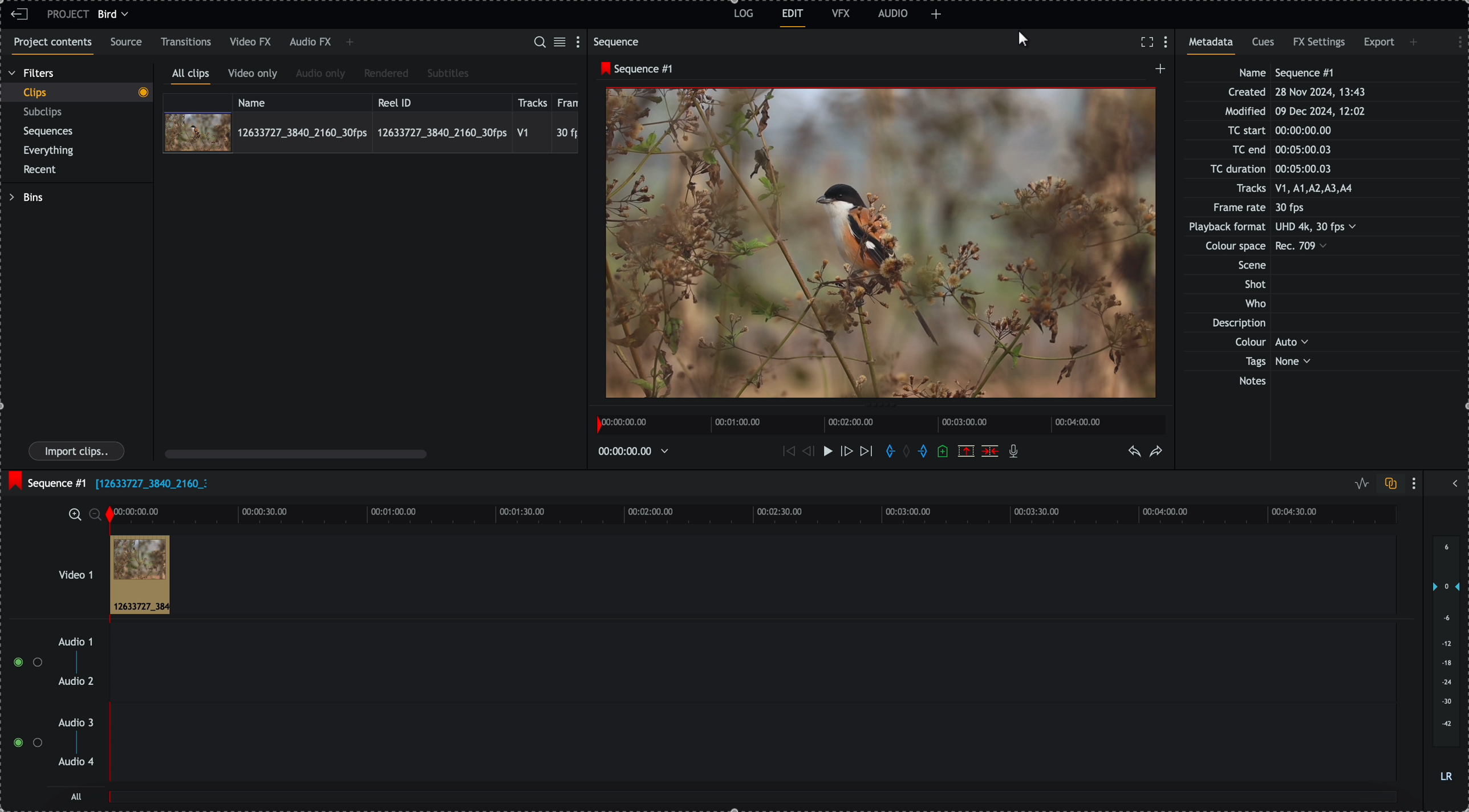  I want to click on sequence #1, so click(46, 480).